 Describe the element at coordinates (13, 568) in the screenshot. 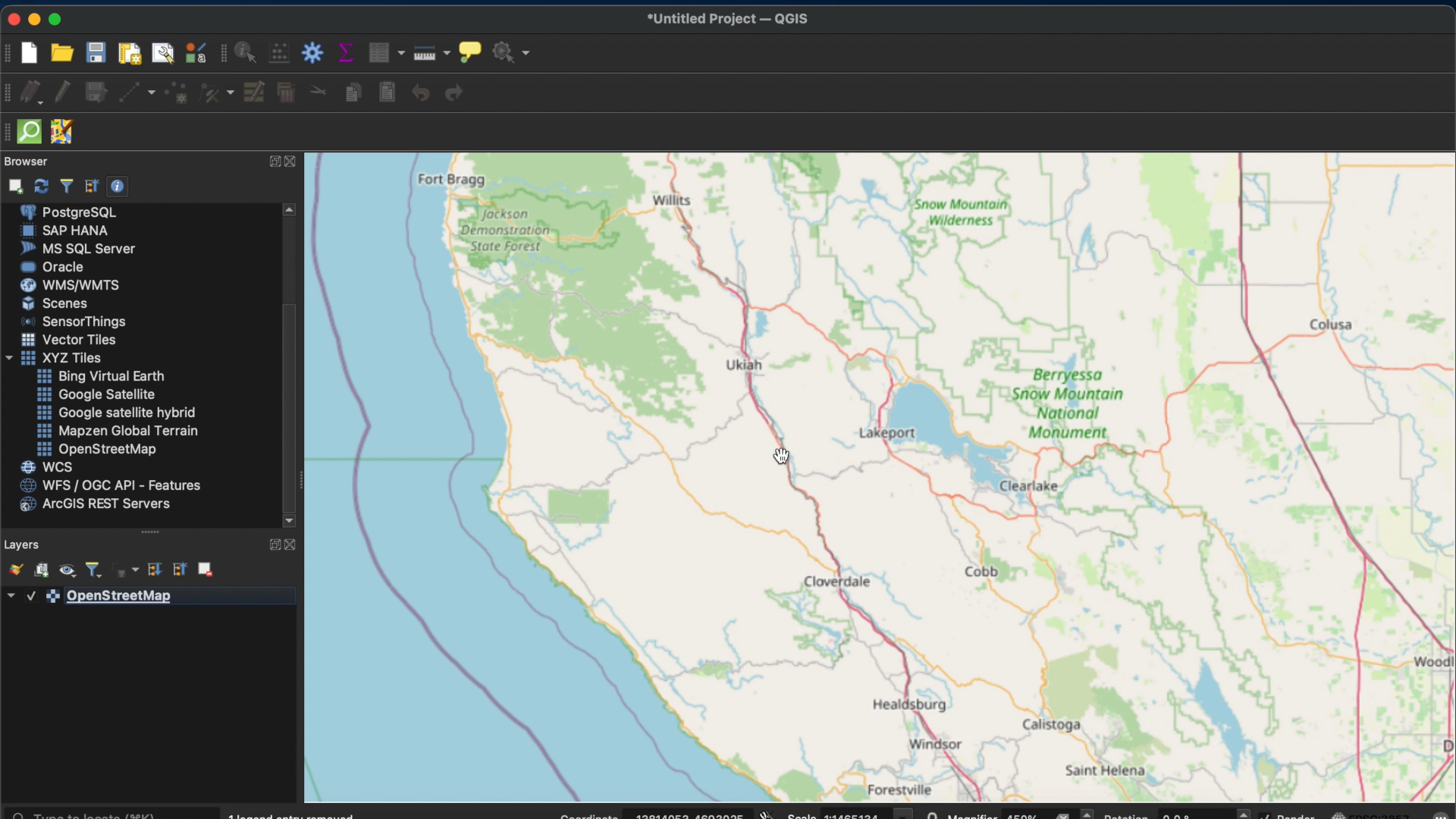

I see `open  layer styling panel` at that location.